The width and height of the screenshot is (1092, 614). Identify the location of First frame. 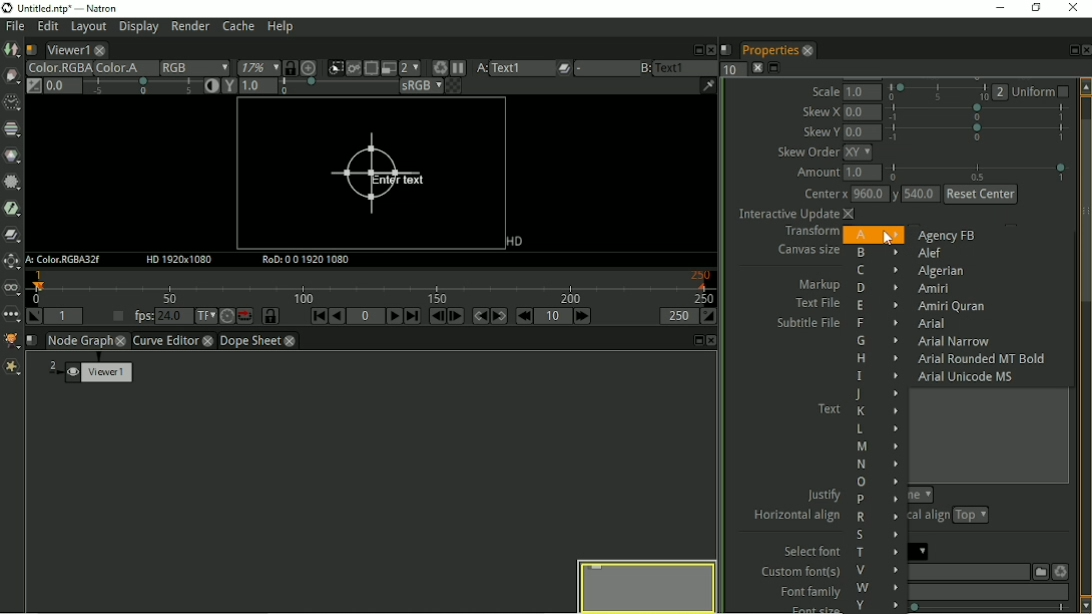
(319, 316).